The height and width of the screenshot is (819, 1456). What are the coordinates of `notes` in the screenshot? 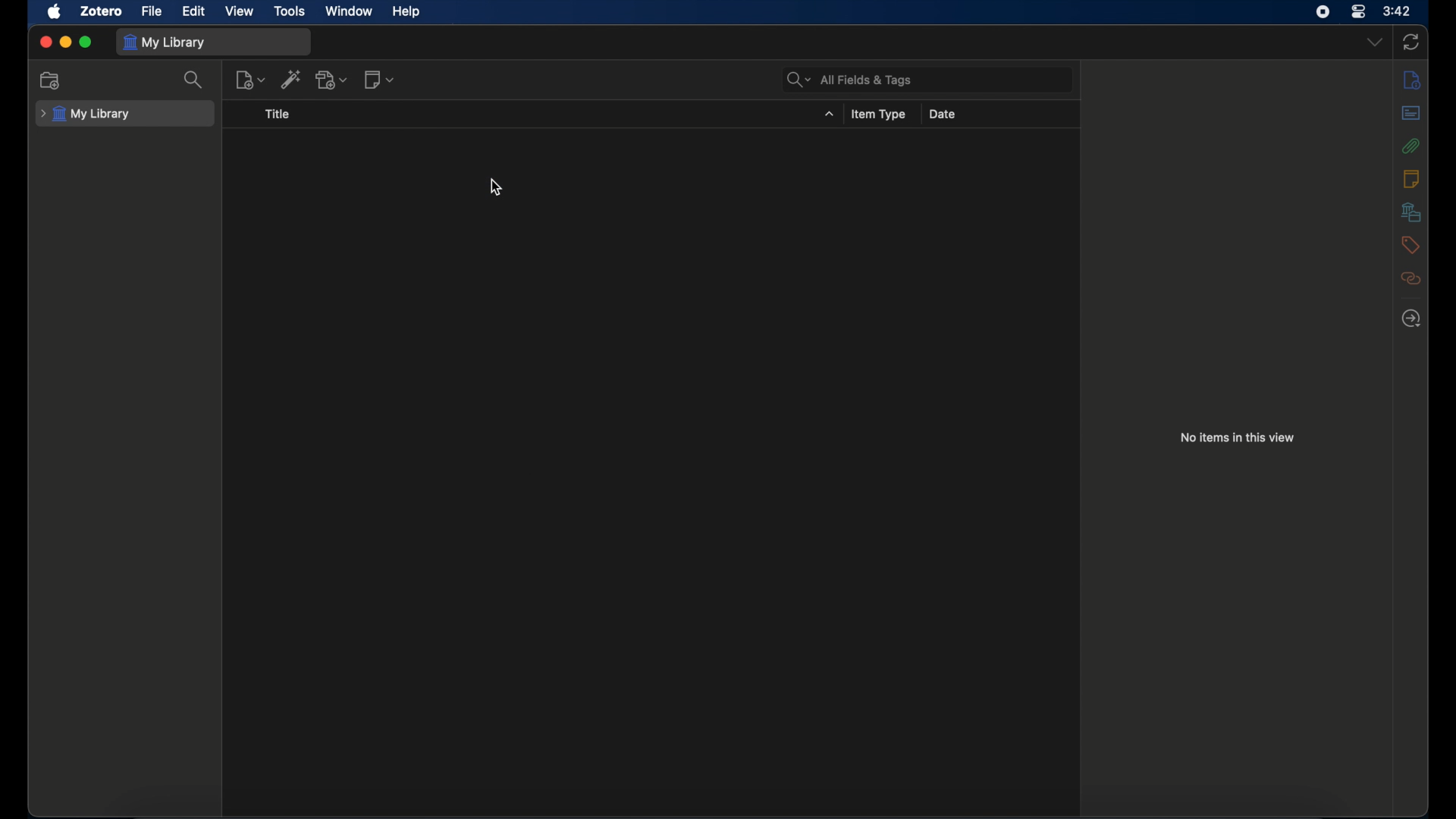 It's located at (1411, 179).